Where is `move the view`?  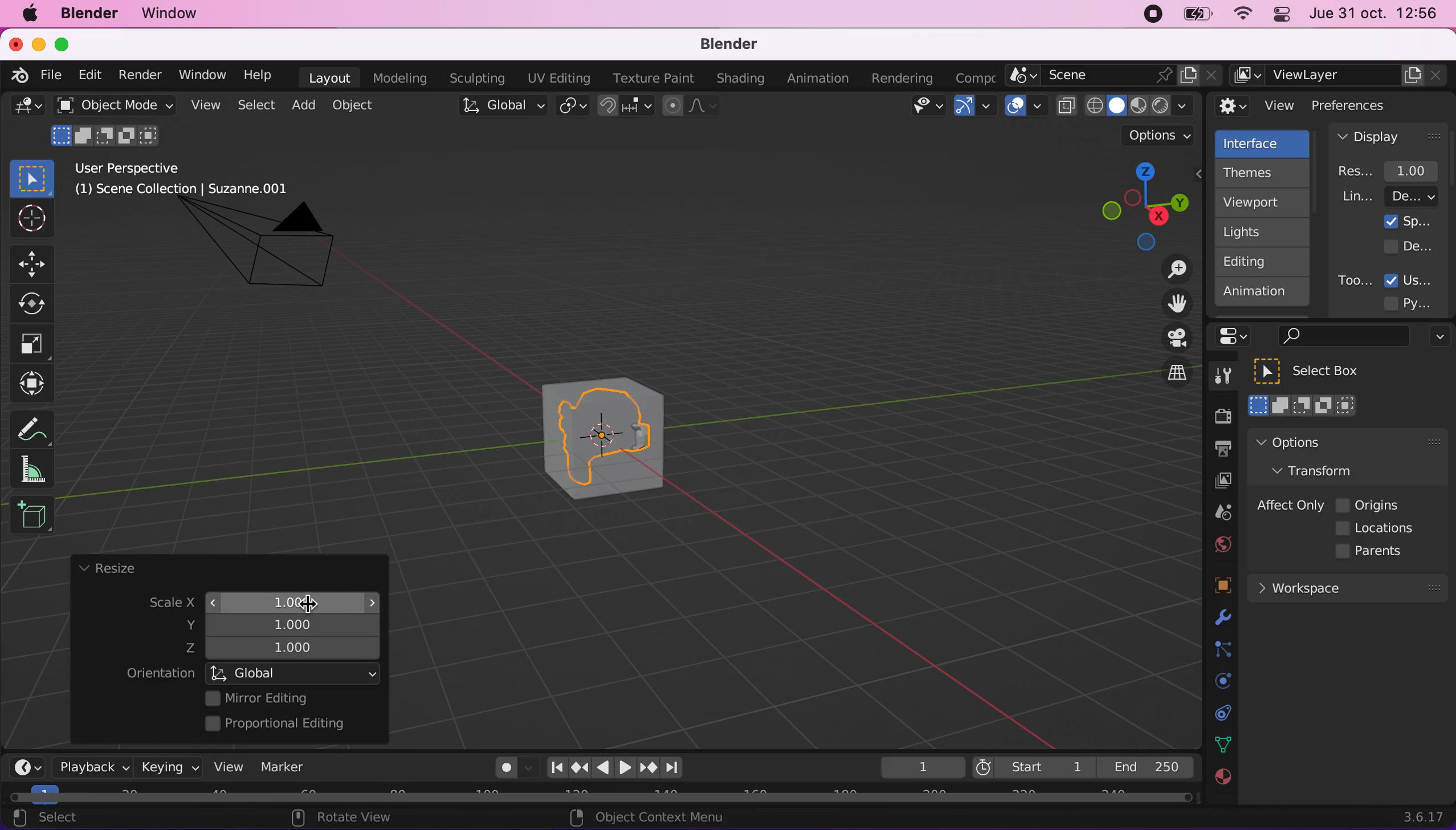
move the view is located at coordinates (1168, 304).